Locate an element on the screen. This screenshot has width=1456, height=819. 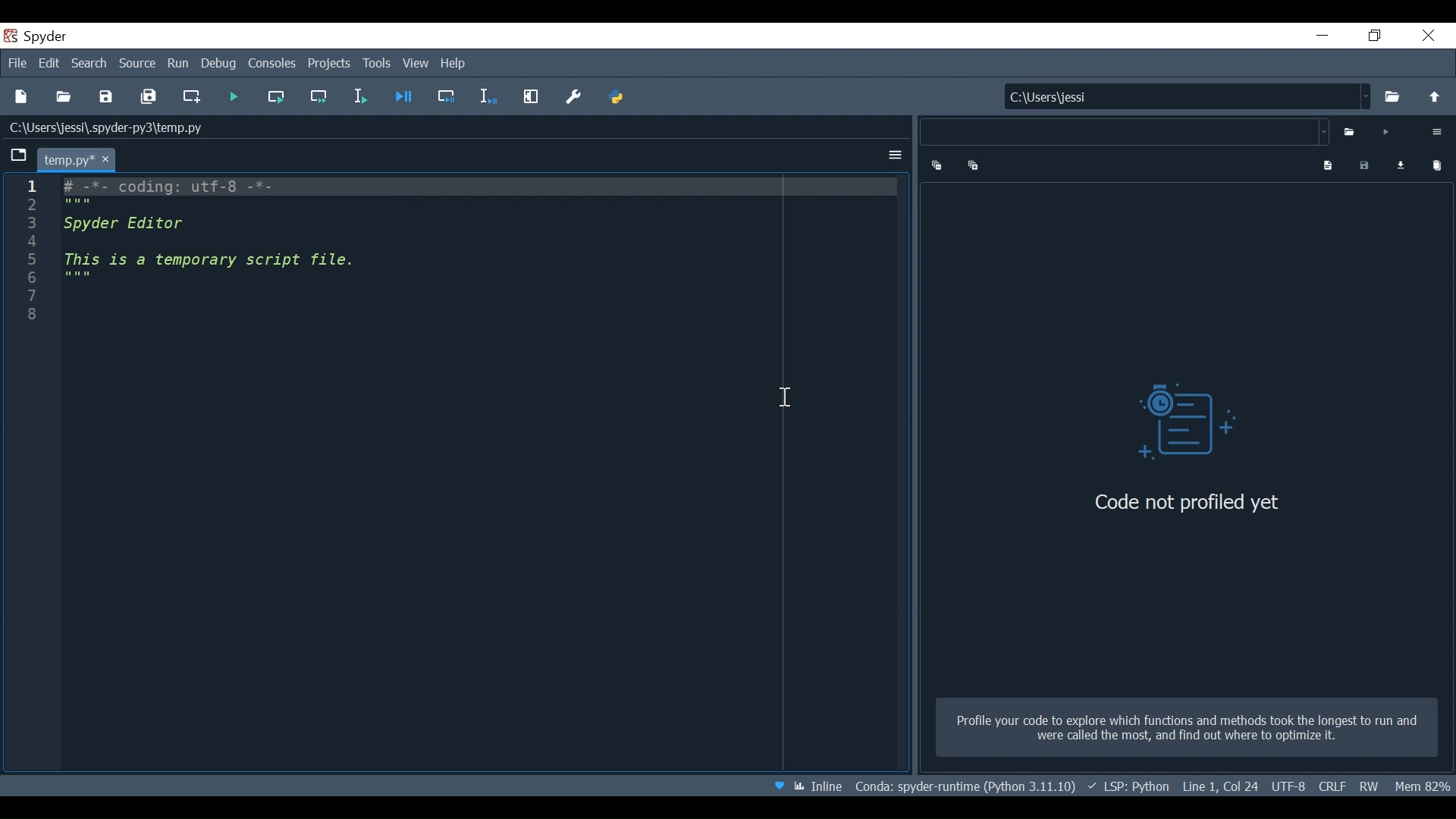
File Path is located at coordinates (962, 786).